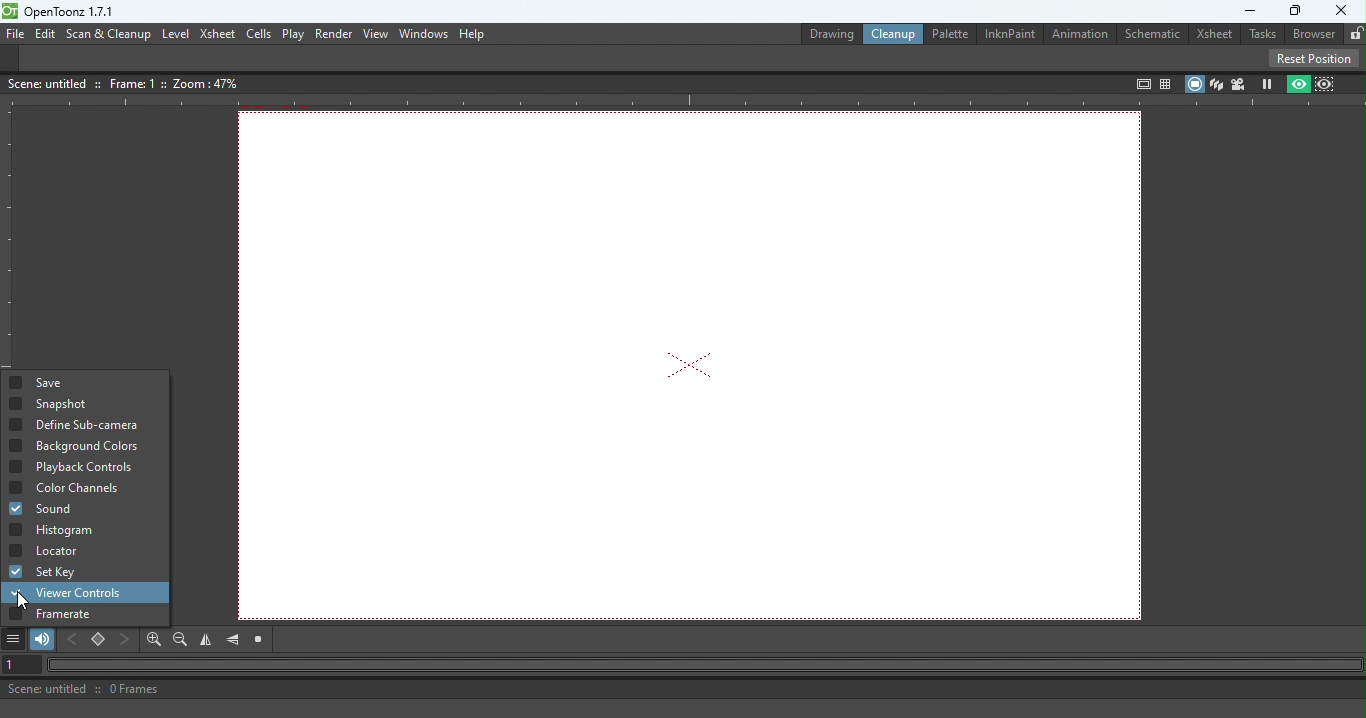  I want to click on Save, so click(36, 382).